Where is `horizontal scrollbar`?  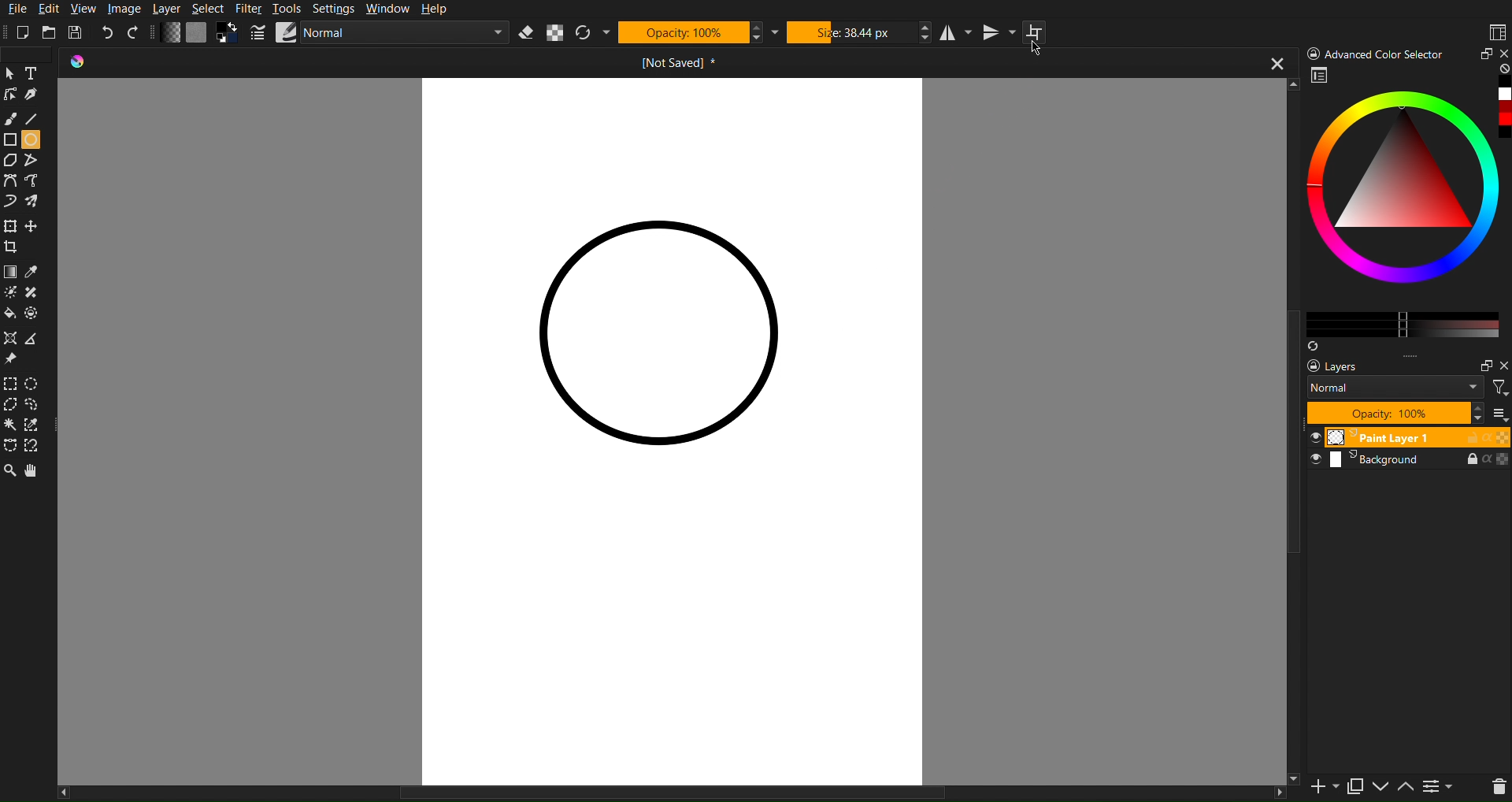 horizontal scrollbar is located at coordinates (673, 790).